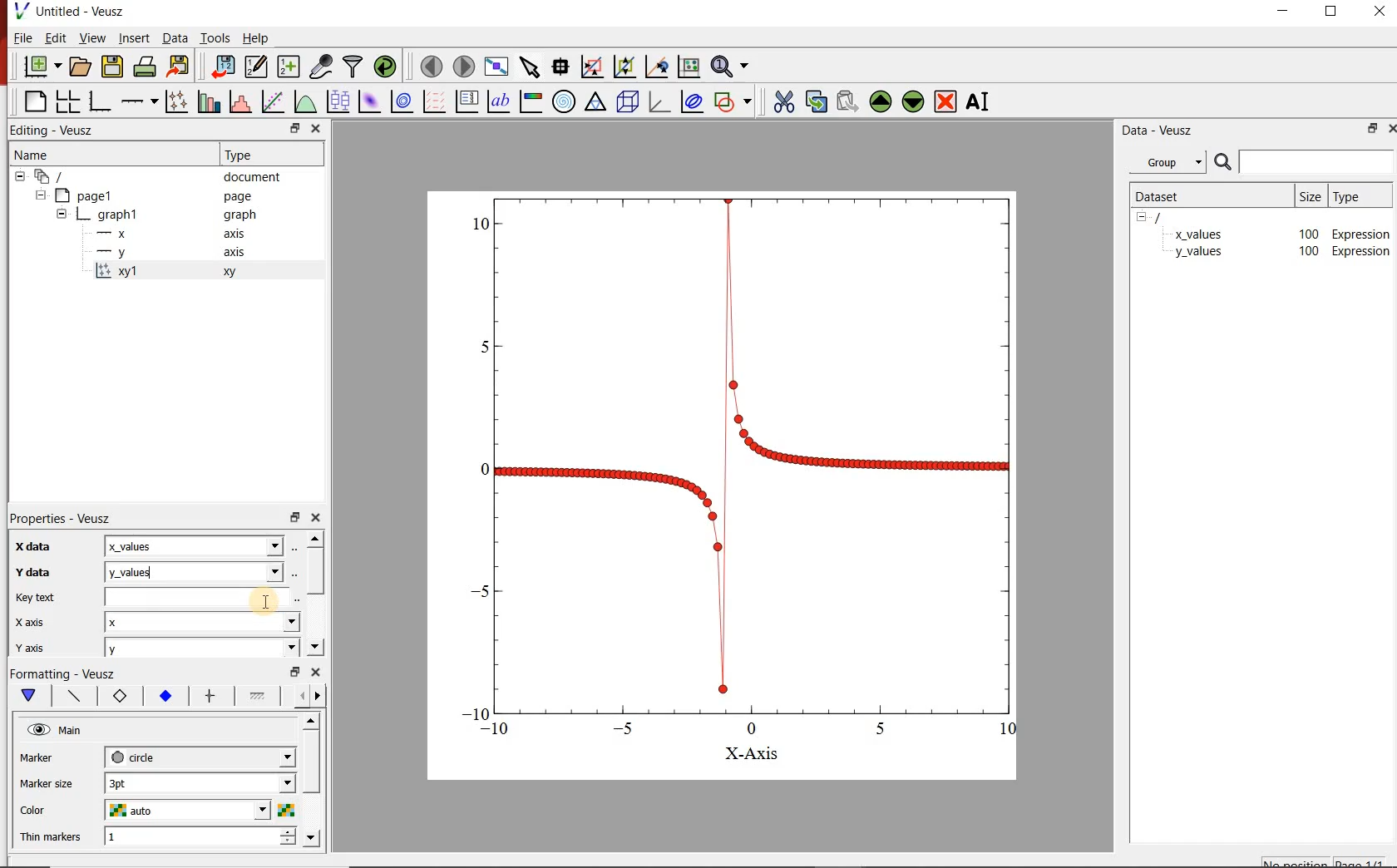 The height and width of the screenshot is (868, 1397). Describe the element at coordinates (1311, 196) in the screenshot. I see `size ` at that location.